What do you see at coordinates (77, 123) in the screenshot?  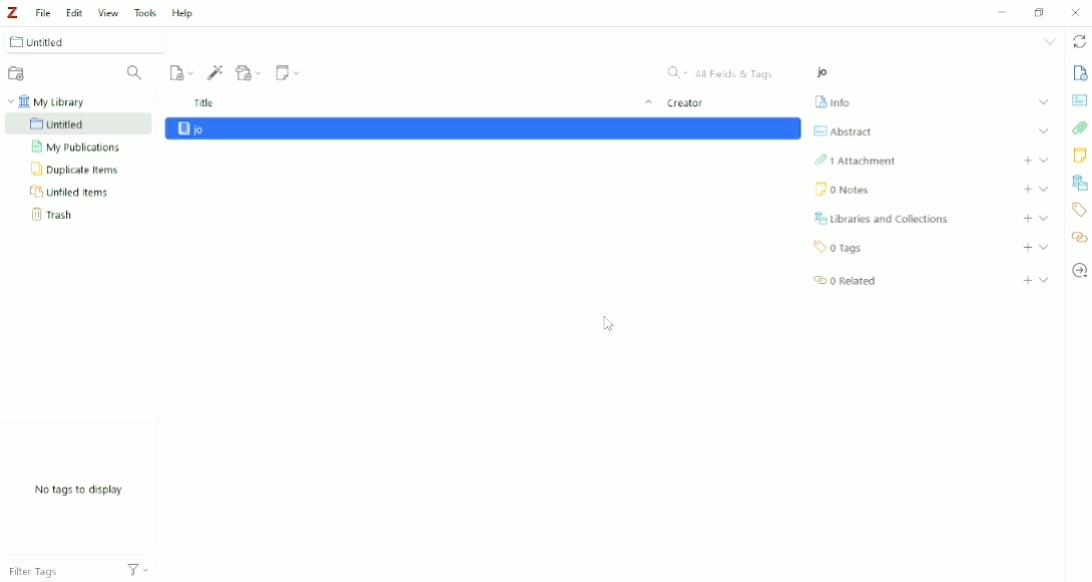 I see `Untitled` at bounding box center [77, 123].